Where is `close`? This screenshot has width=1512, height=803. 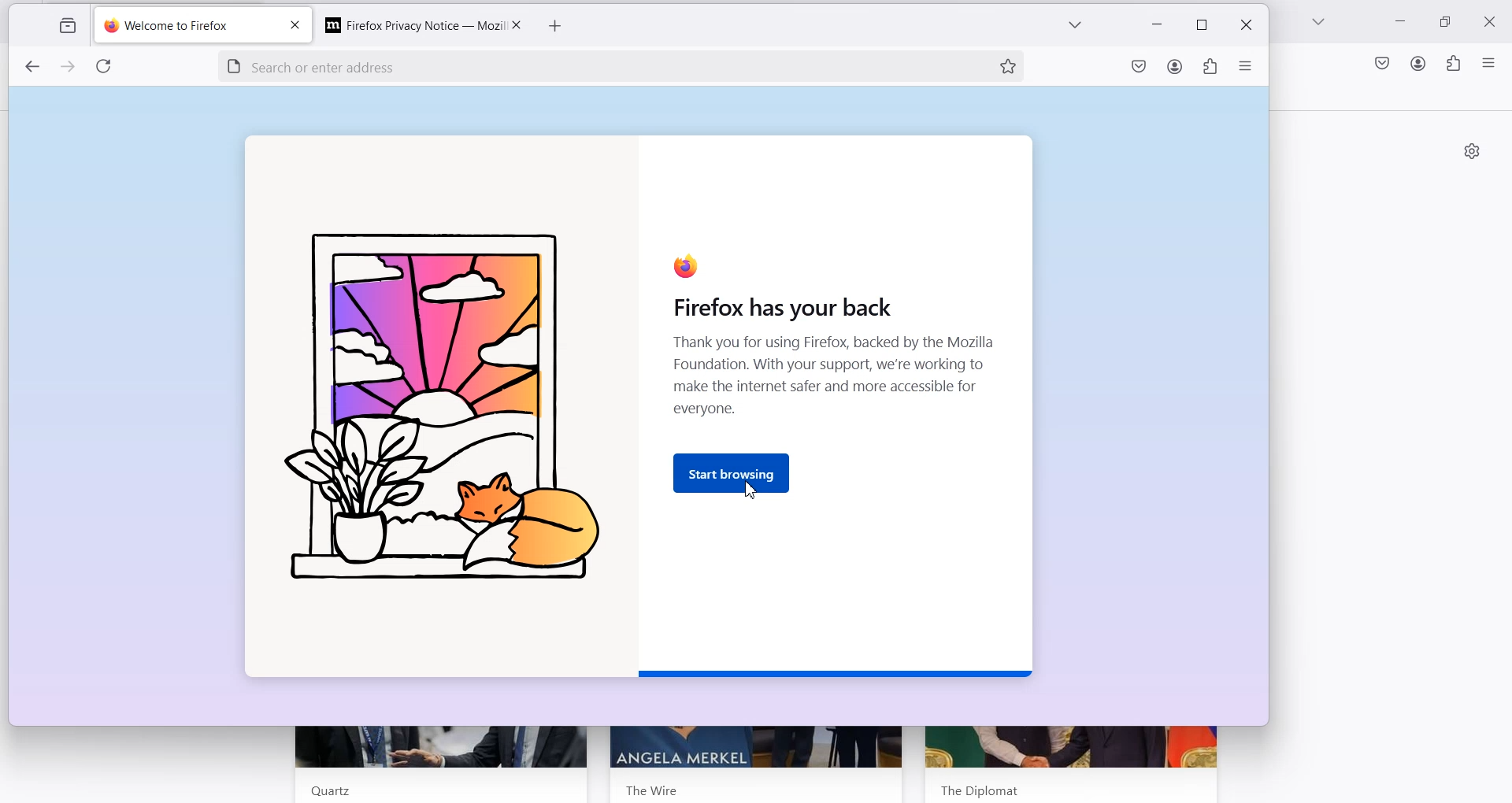
close is located at coordinates (294, 27).